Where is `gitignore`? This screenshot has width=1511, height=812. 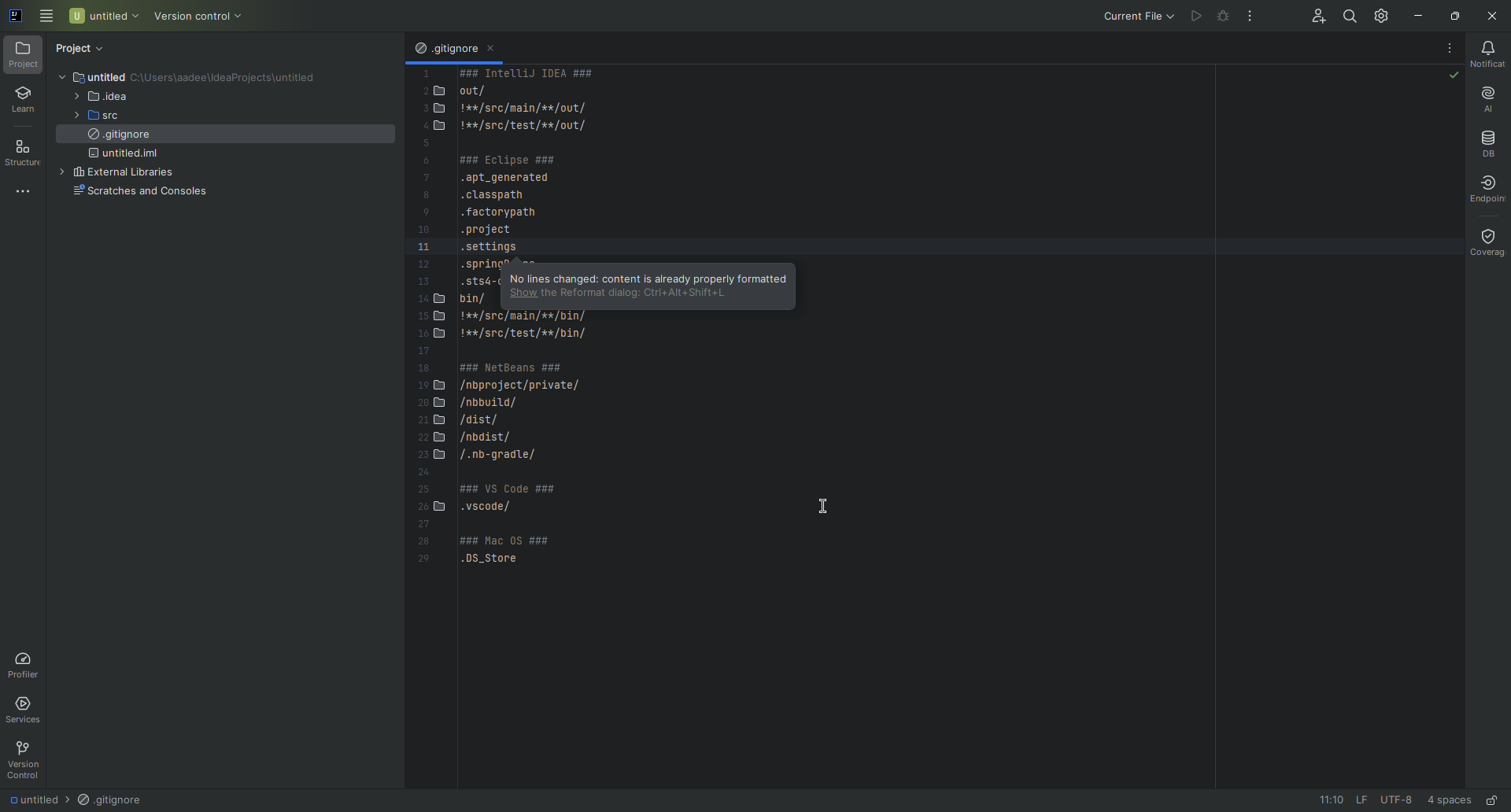
gitignore is located at coordinates (119, 138).